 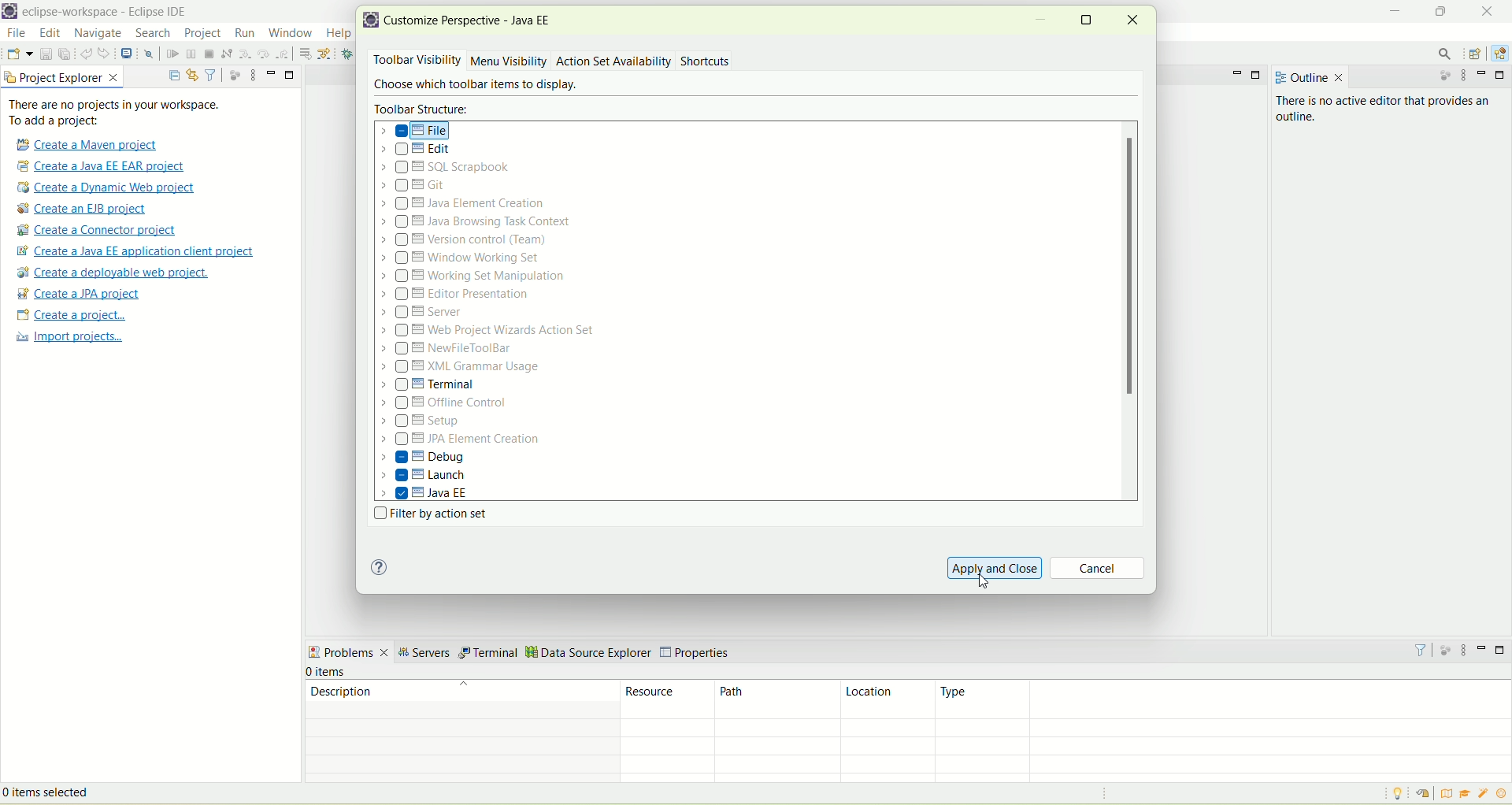 What do you see at coordinates (98, 35) in the screenshot?
I see `navigate` at bounding box center [98, 35].